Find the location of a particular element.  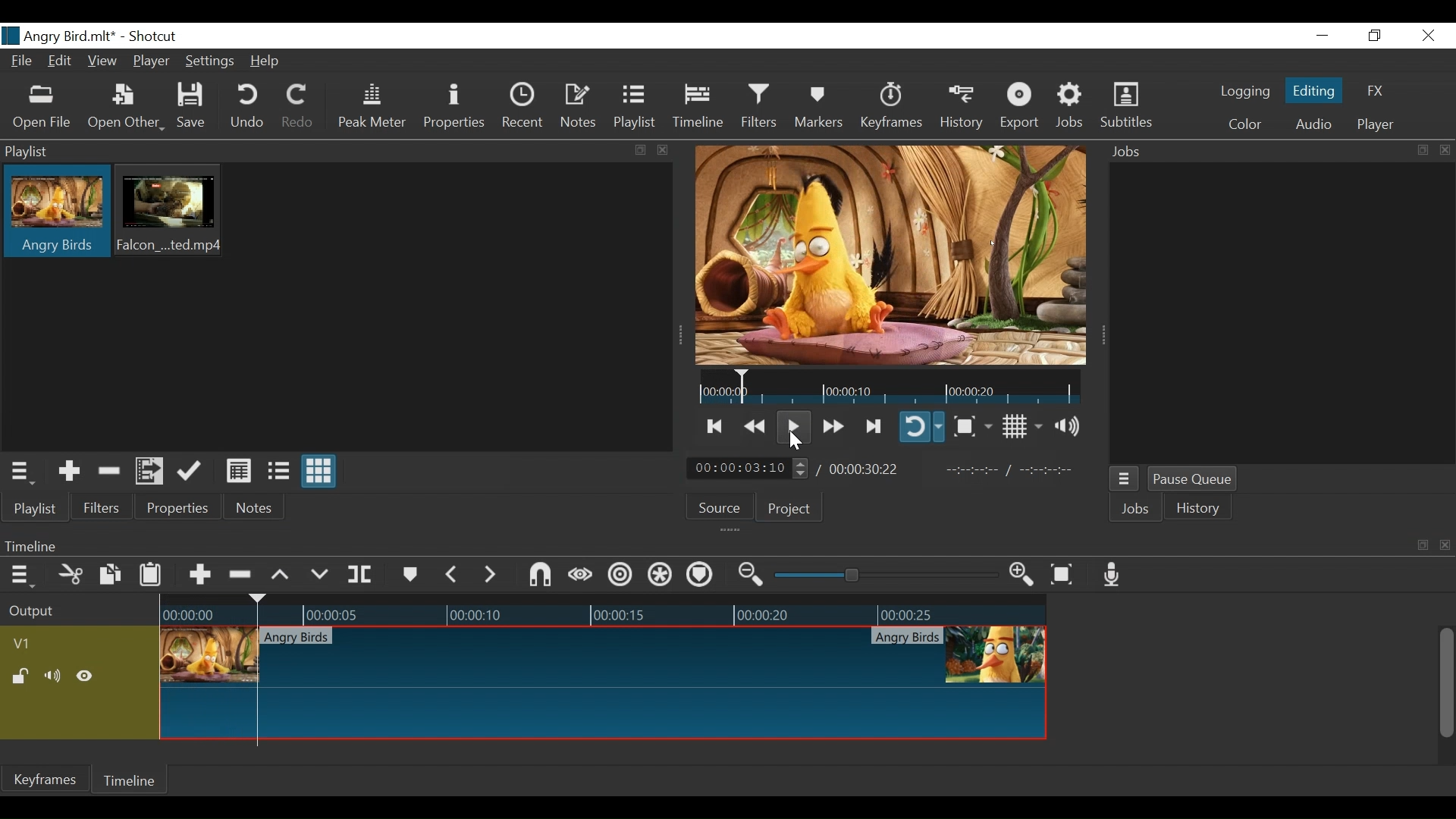

Zoom slider is located at coordinates (883, 577).